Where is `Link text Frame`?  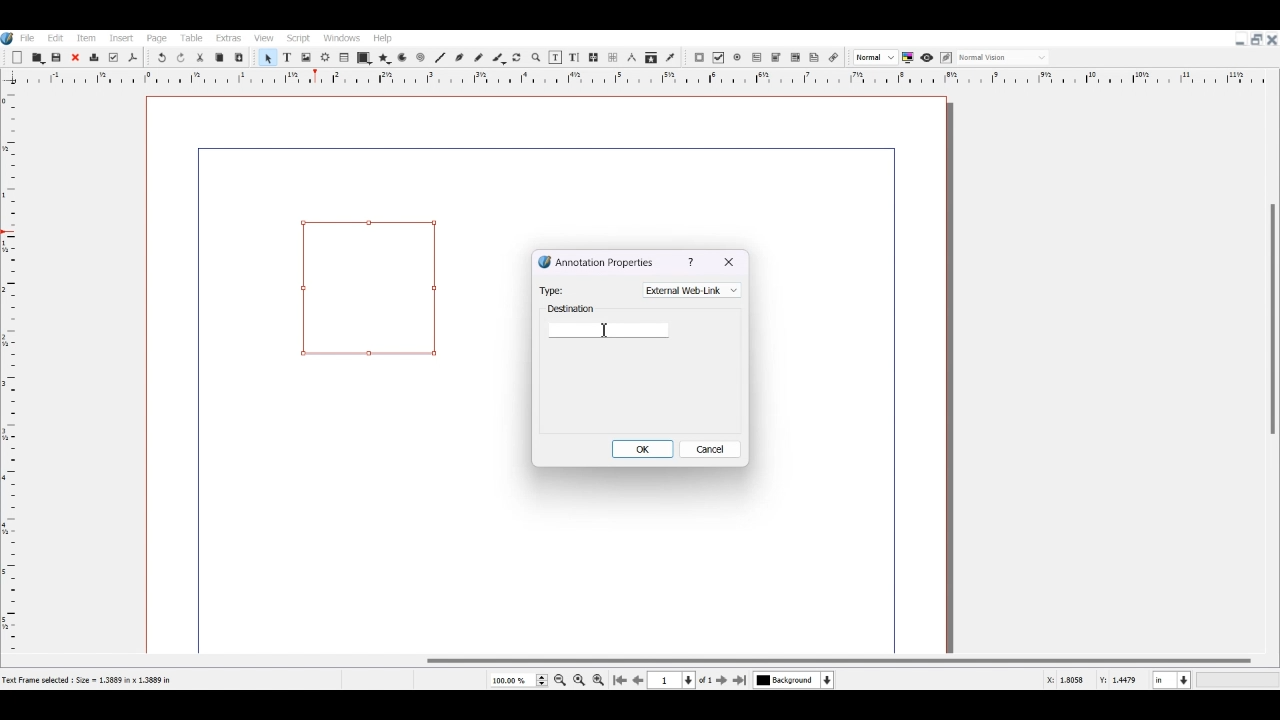
Link text Frame is located at coordinates (594, 57).